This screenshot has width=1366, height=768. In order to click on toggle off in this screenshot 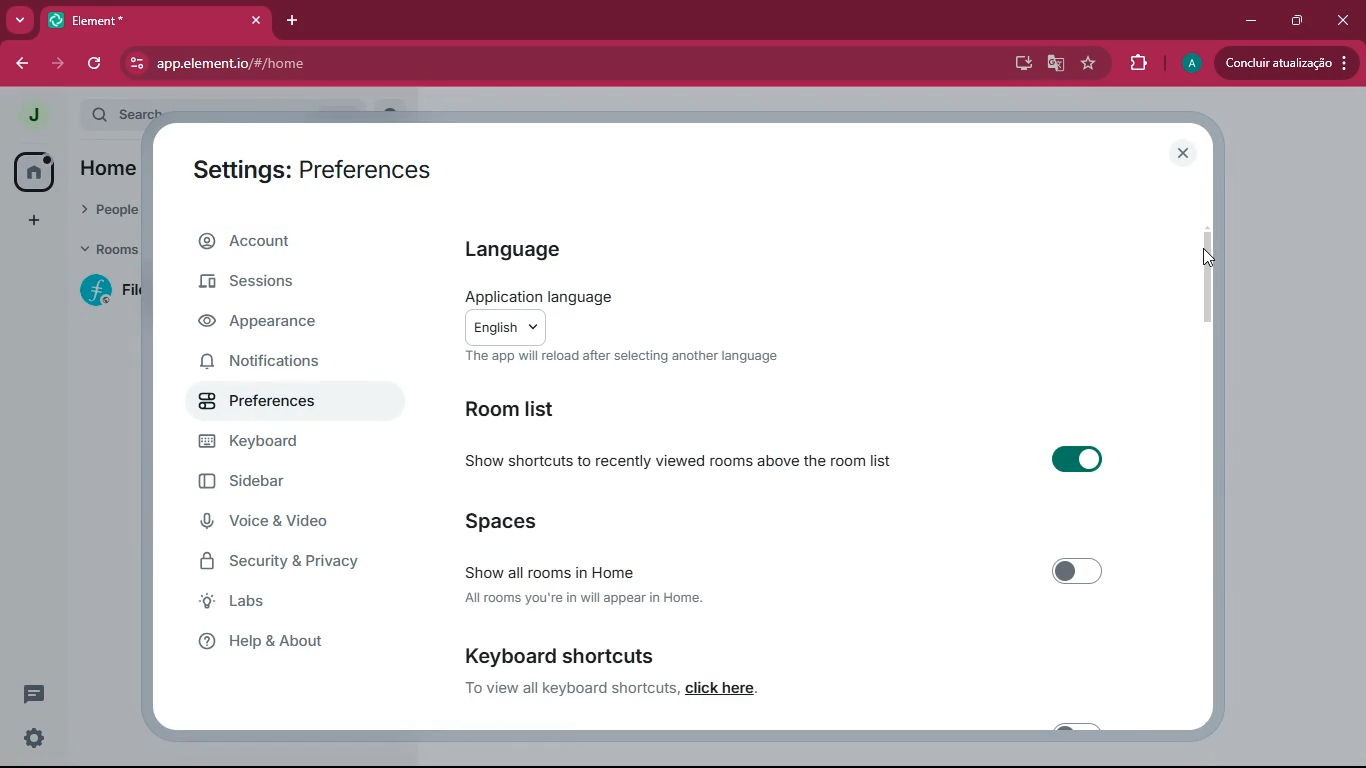, I will do `click(1085, 569)`.